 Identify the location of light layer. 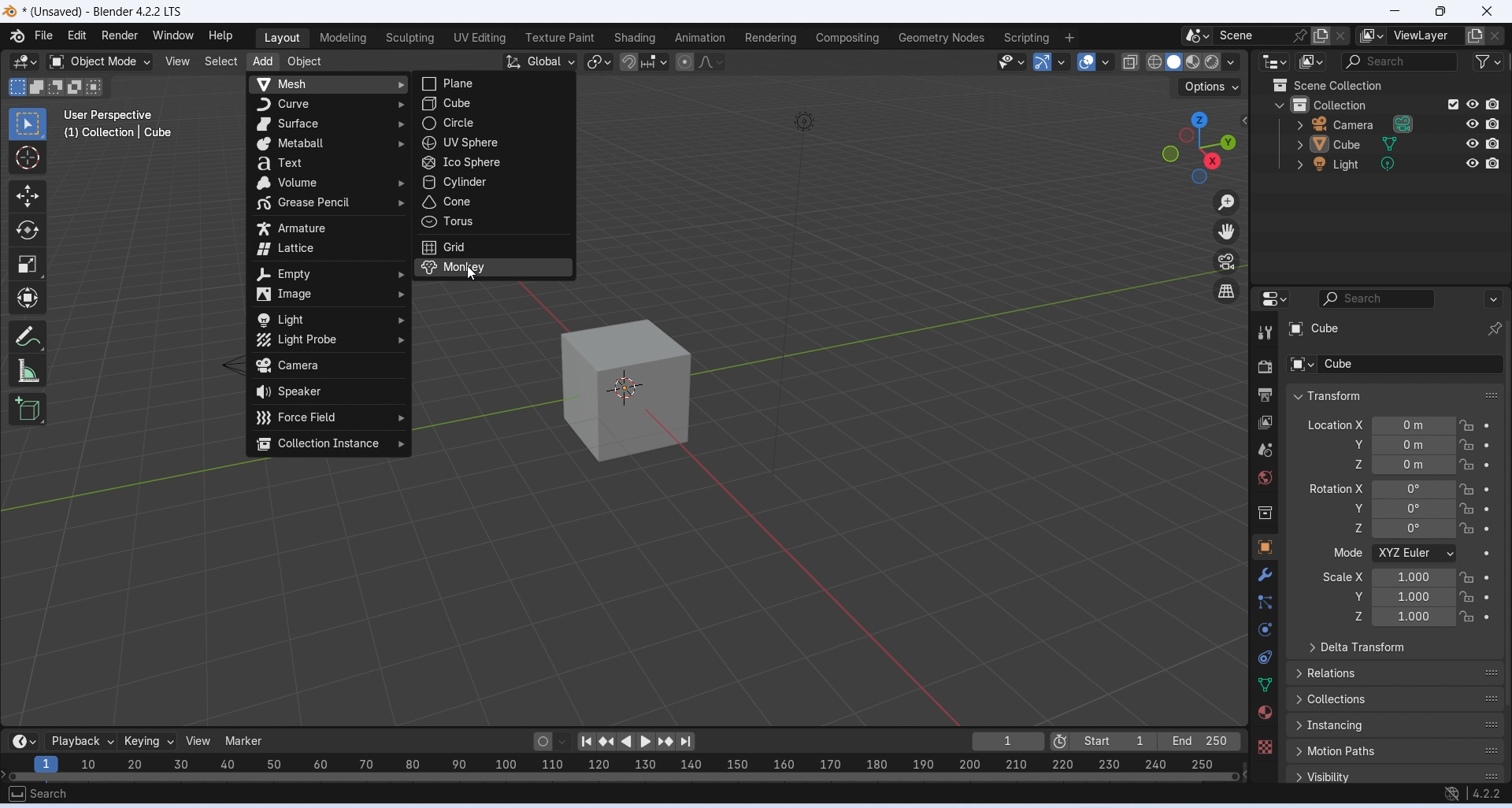
(1370, 165).